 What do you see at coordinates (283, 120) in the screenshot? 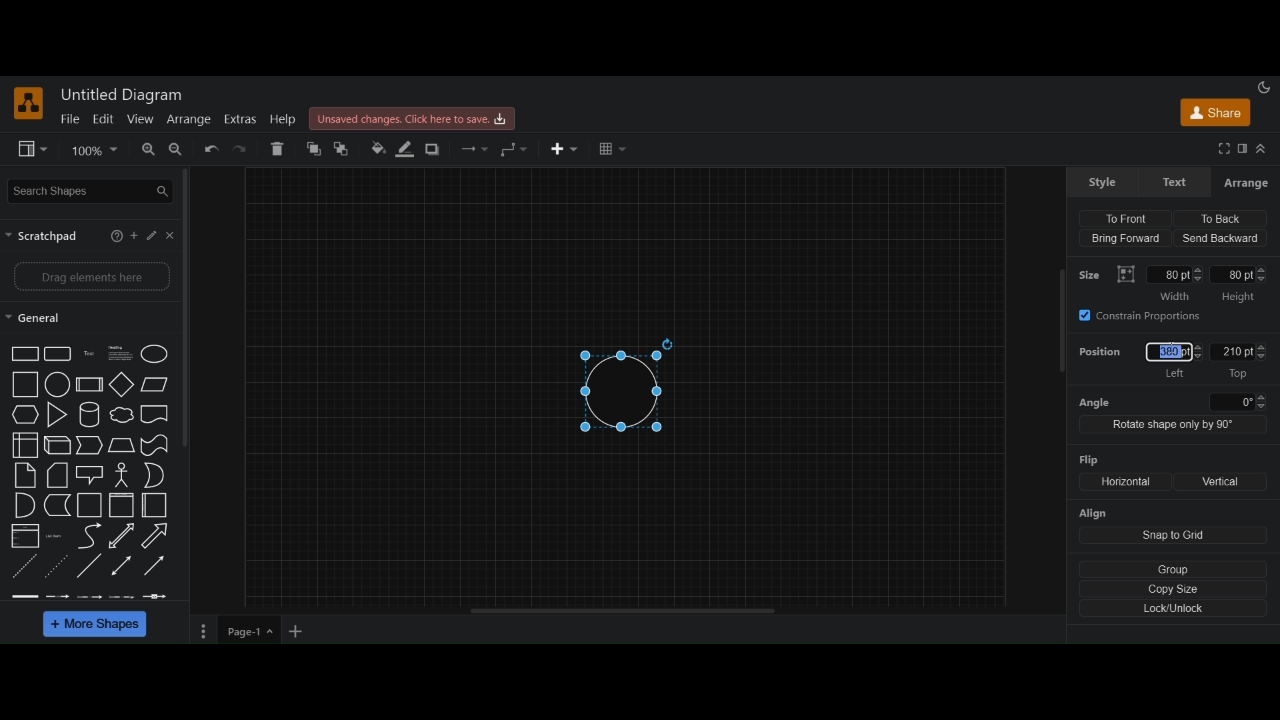
I see `help` at bounding box center [283, 120].